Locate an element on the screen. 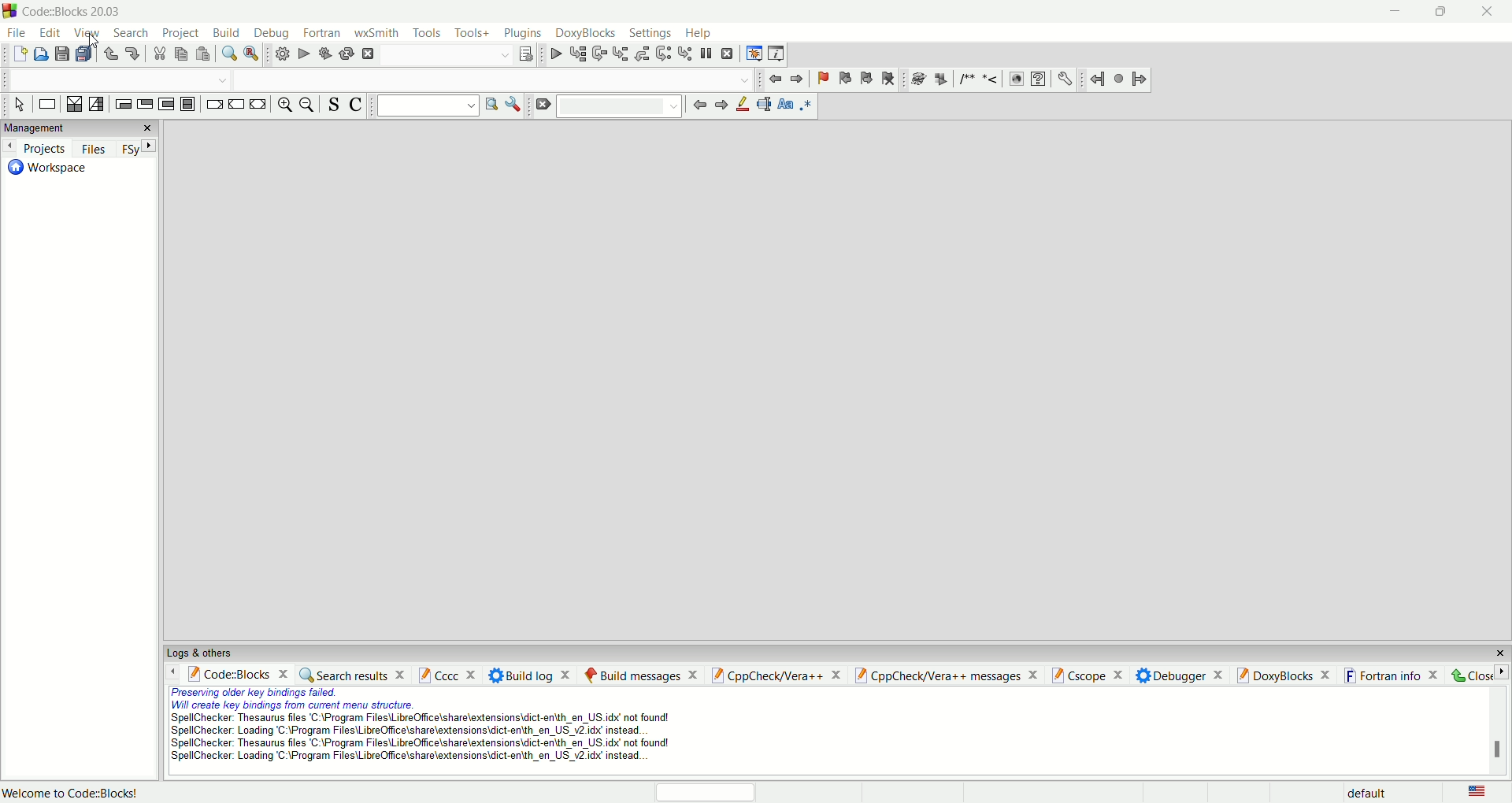  default is located at coordinates (1376, 792).